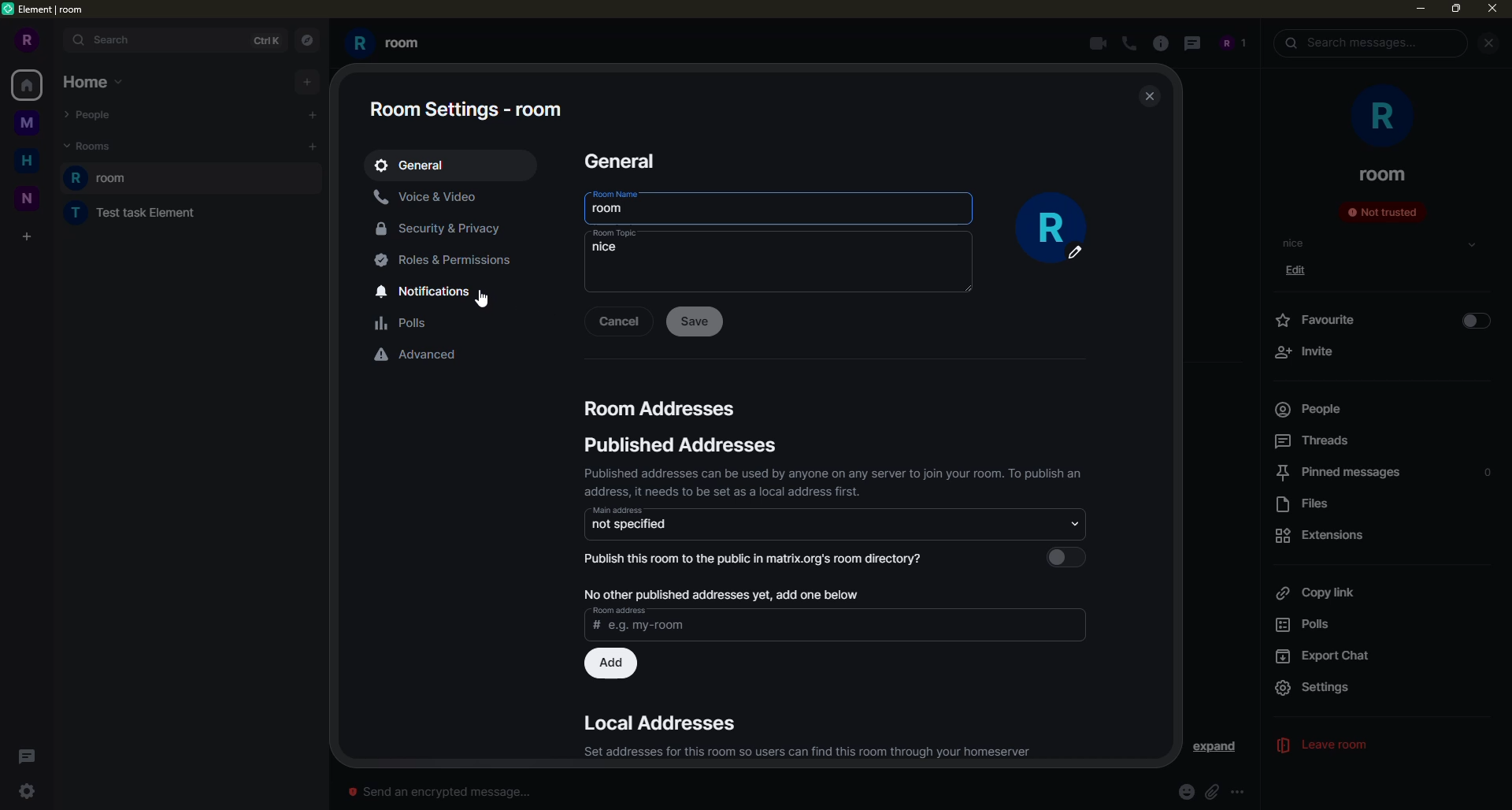 The width and height of the screenshot is (1512, 810). Describe the element at coordinates (484, 300) in the screenshot. I see `cursor` at that location.